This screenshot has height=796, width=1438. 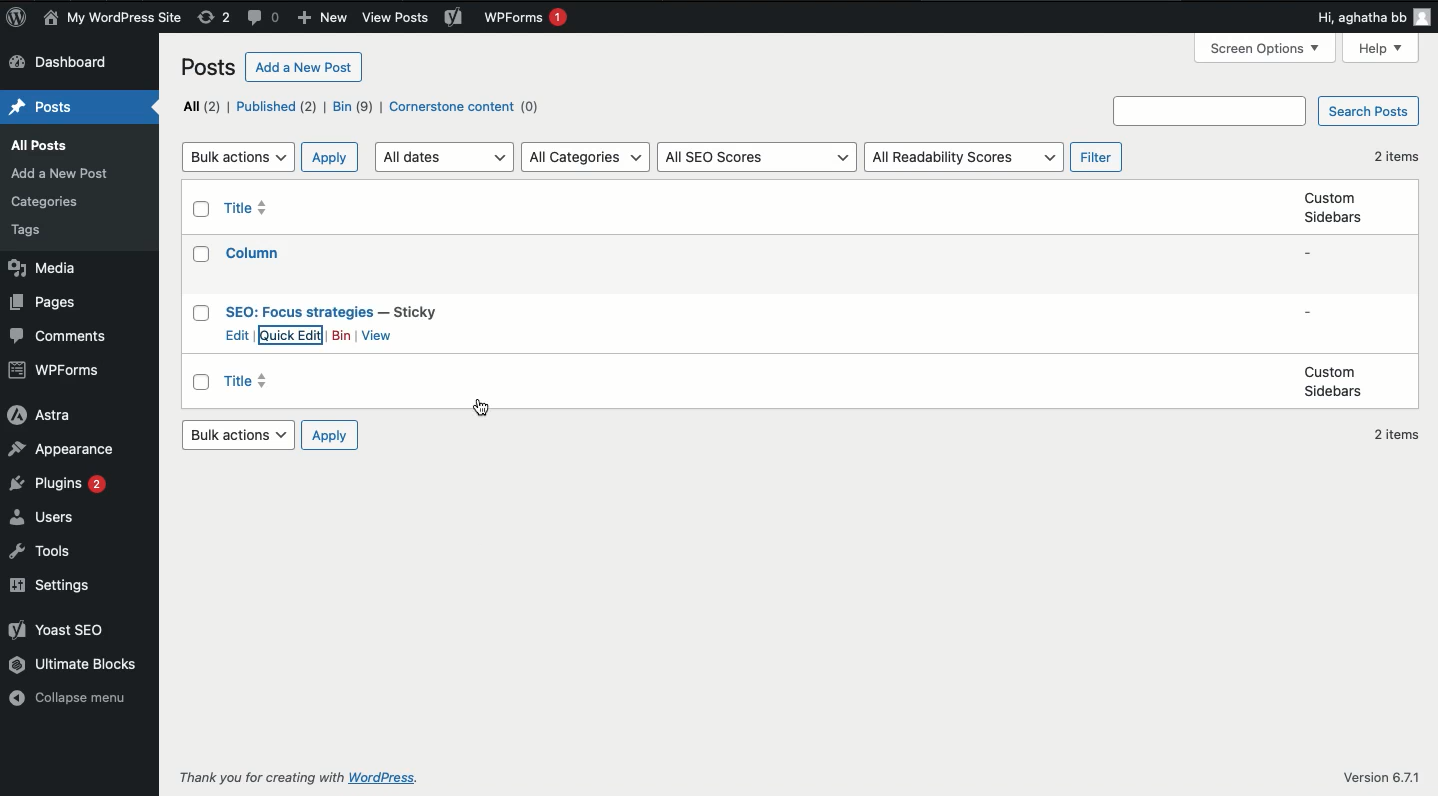 What do you see at coordinates (57, 336) in the screenshot?
I see `Comments` at bounding box center [57, 336].